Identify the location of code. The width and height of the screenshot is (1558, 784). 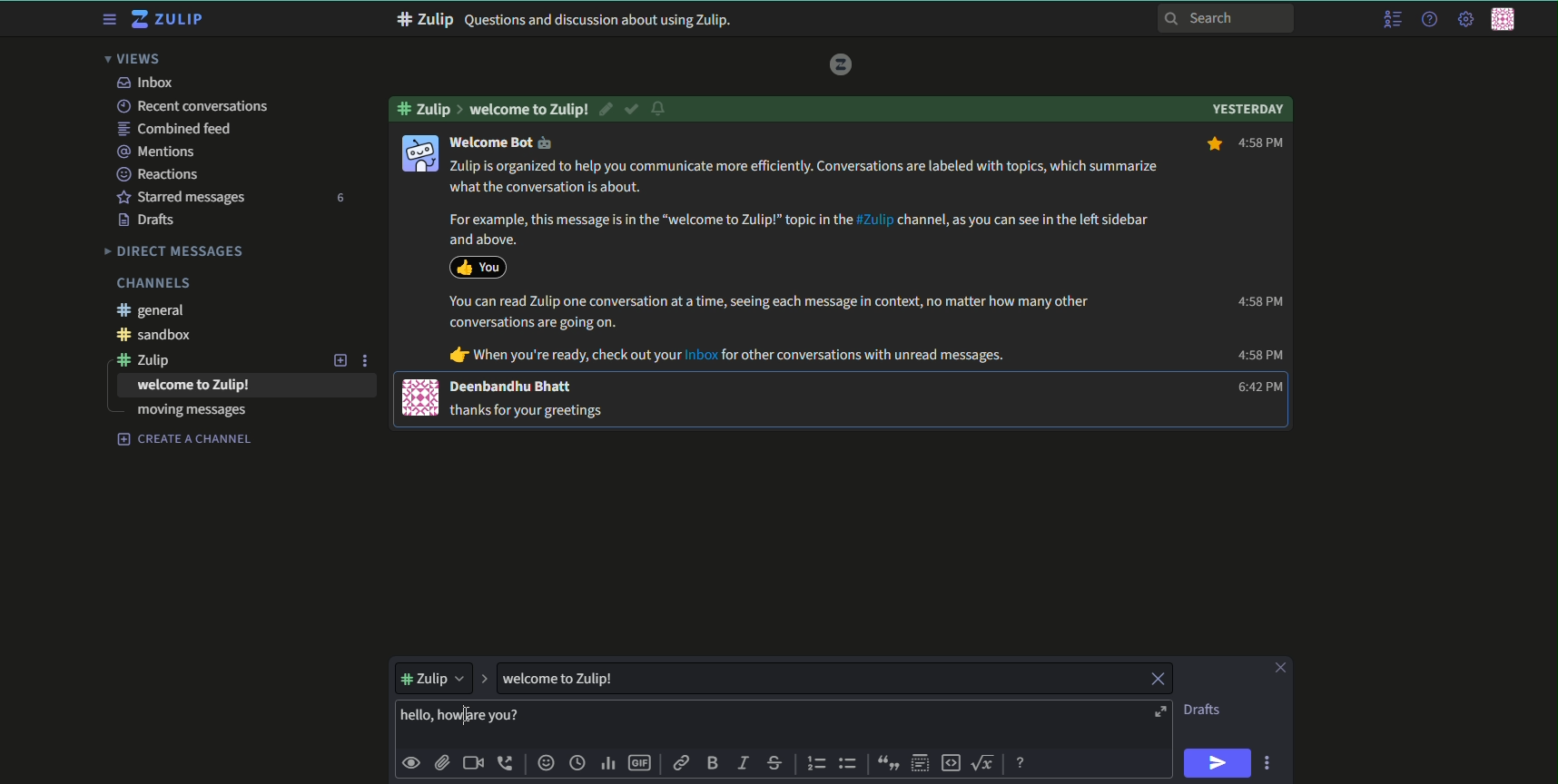
(952, 762).